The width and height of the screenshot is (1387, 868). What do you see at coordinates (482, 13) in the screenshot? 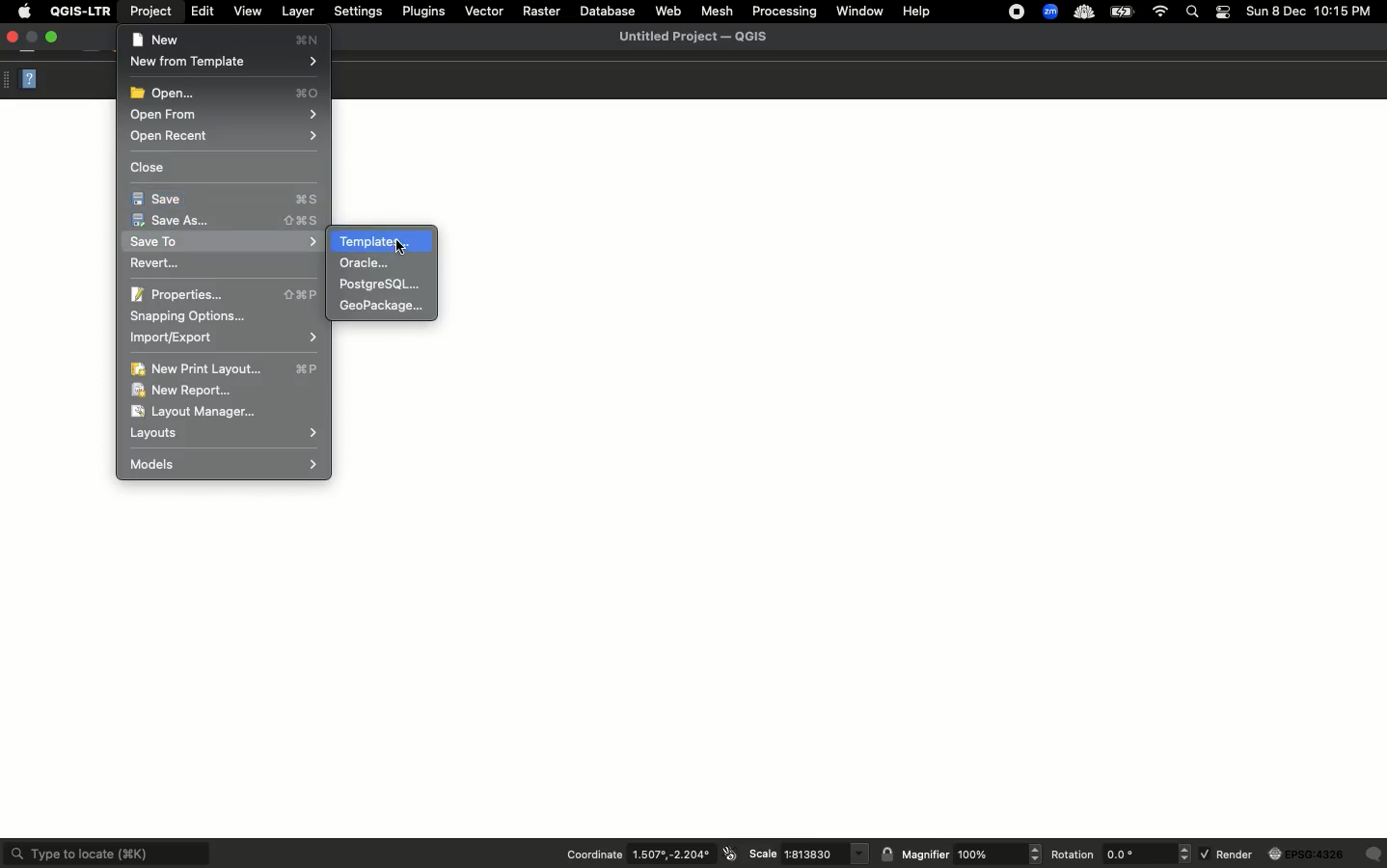
I see `Vector` at bounding box center [482, 13].